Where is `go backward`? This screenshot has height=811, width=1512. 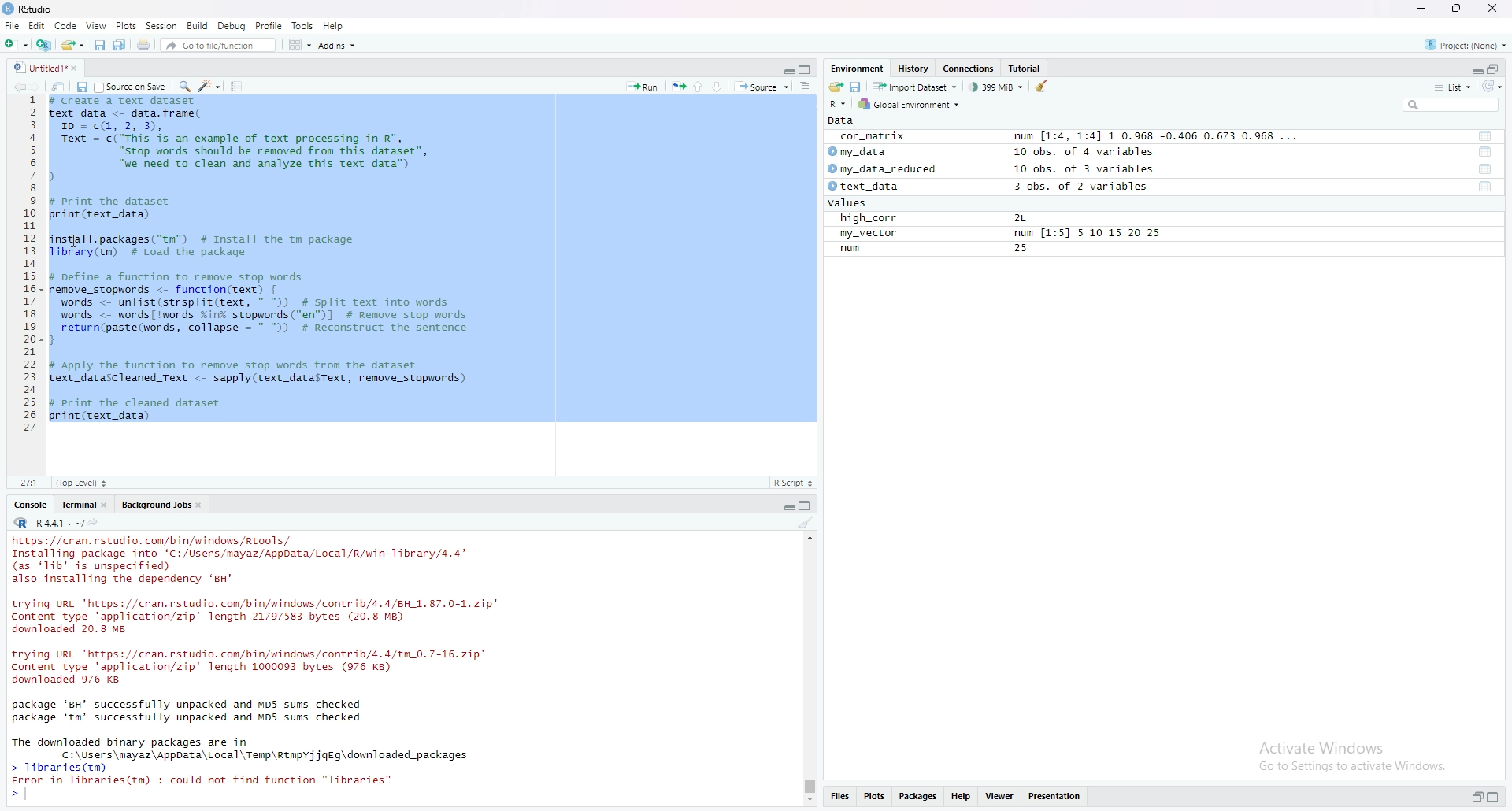
go backward is located at coordinates (17, 87).